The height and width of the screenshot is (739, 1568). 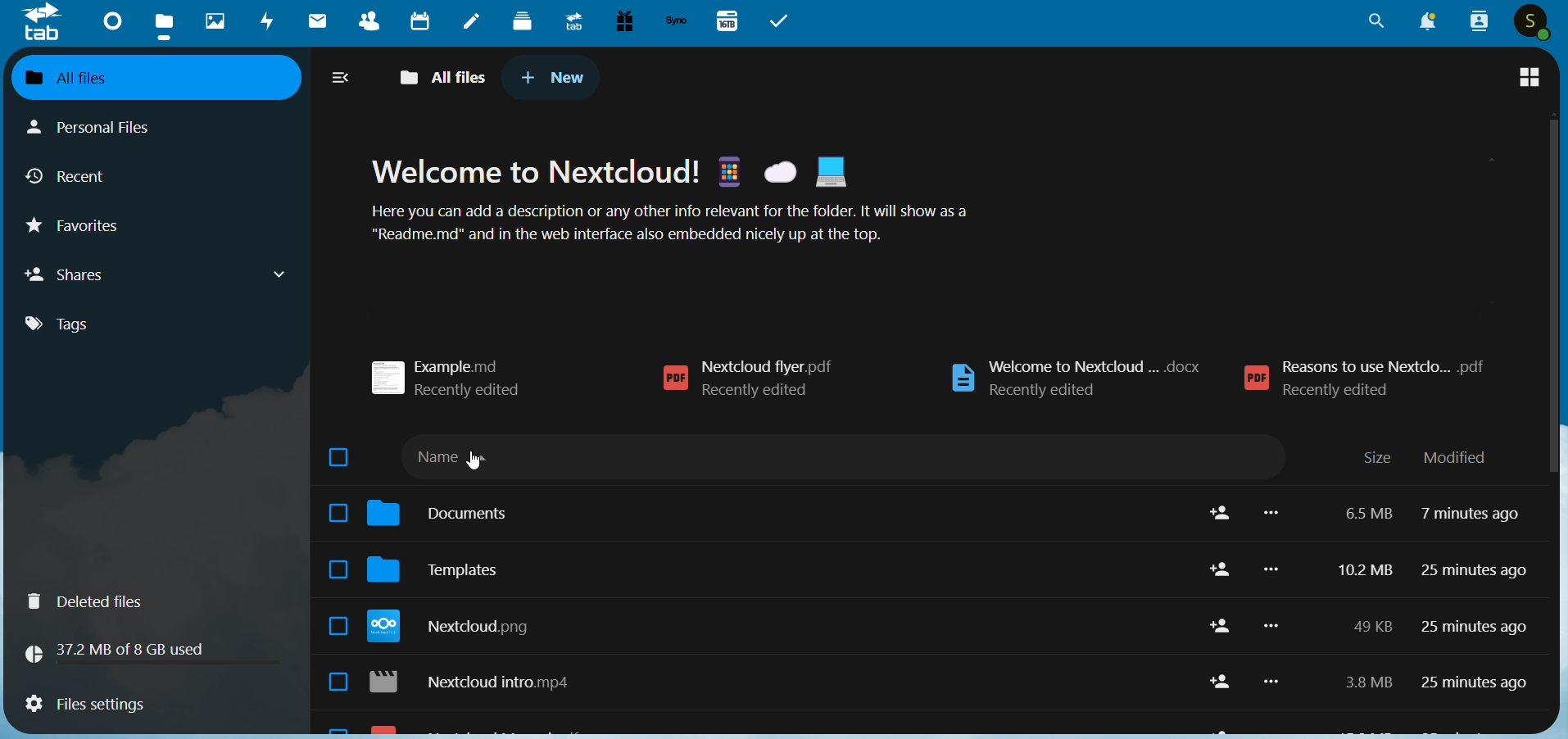 What do you see at coordinates (424, 20) in the screenshot?
I see `Calendar` at bounding box center [424, 20].